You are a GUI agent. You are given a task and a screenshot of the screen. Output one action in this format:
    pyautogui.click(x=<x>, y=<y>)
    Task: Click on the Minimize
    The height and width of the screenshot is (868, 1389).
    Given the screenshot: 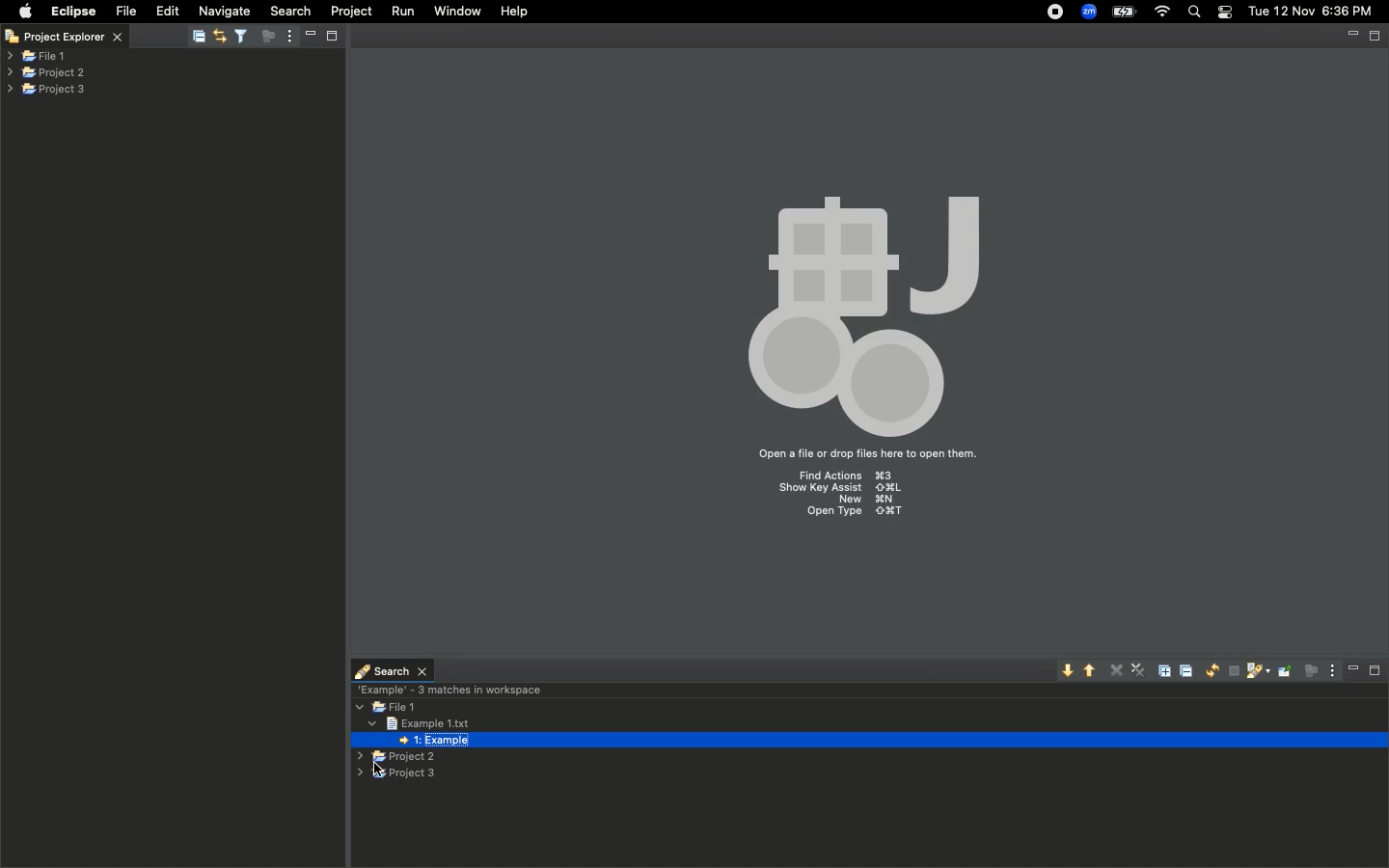 What is the action you would take?
    pyautogui.click(x=1353, y=669)
    